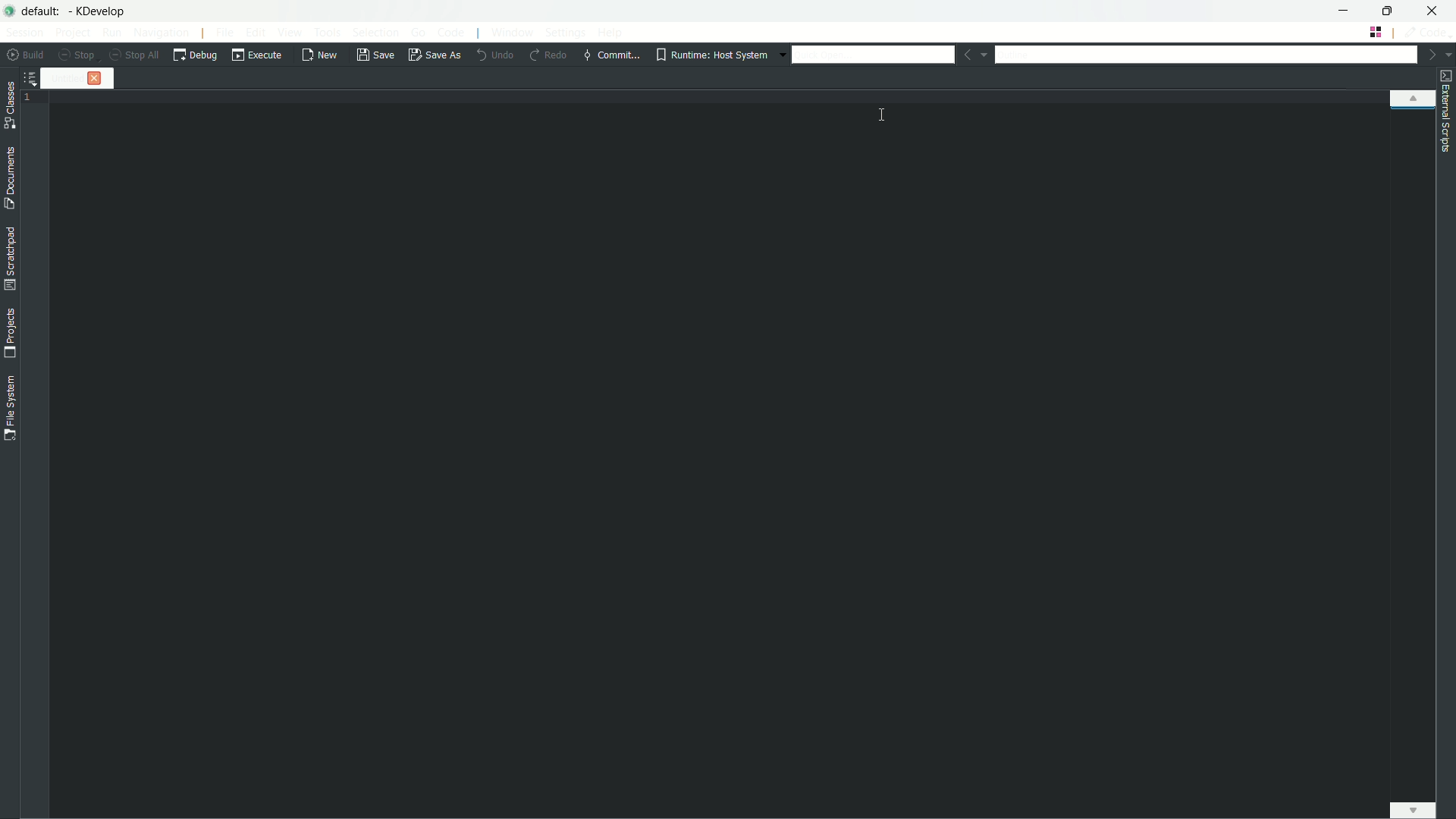  Describe the element at coordinates (226, 33) in the screenshot. I see `file` at that location.